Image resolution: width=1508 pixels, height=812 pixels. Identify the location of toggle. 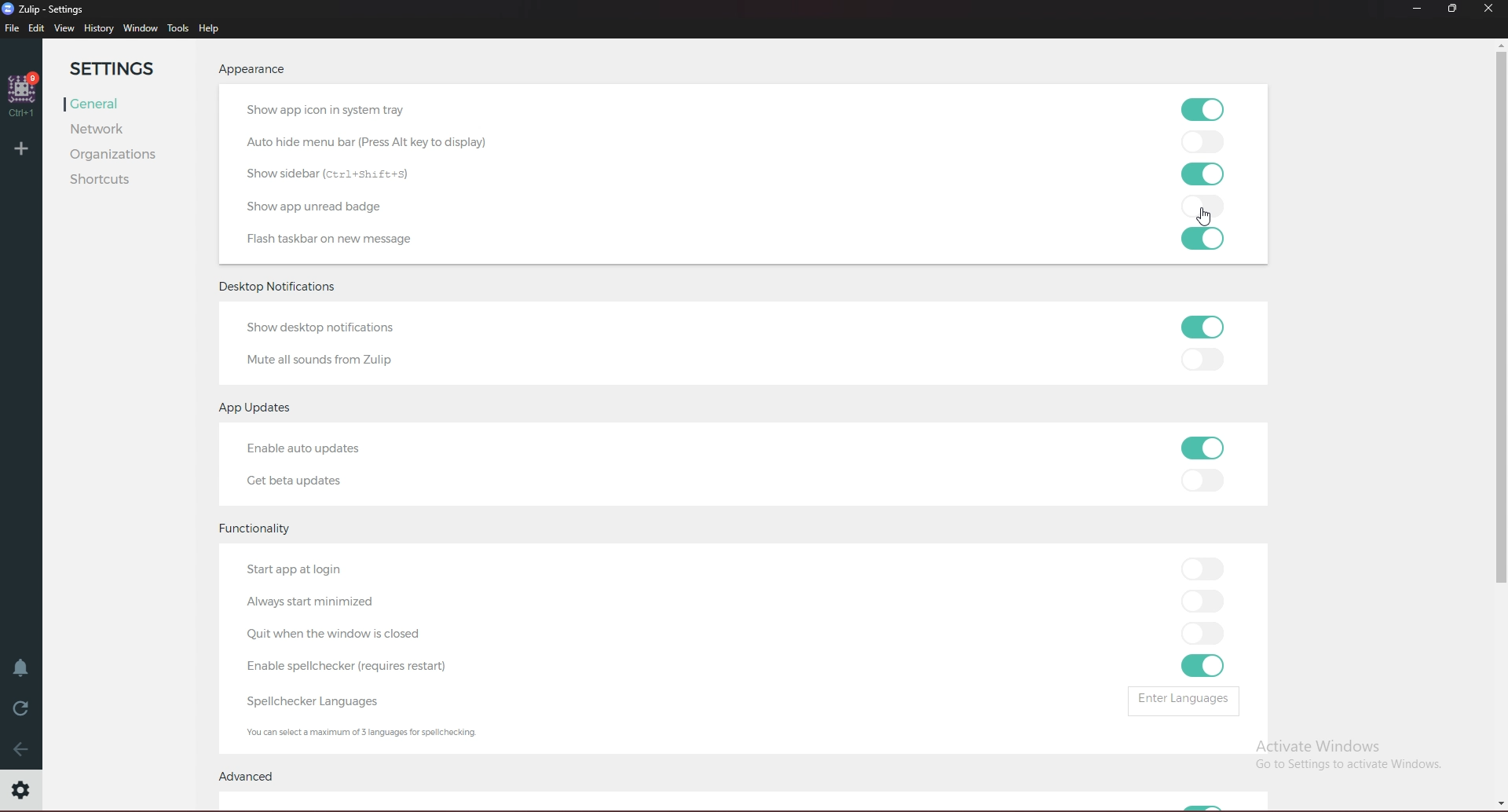
(1204, 481).